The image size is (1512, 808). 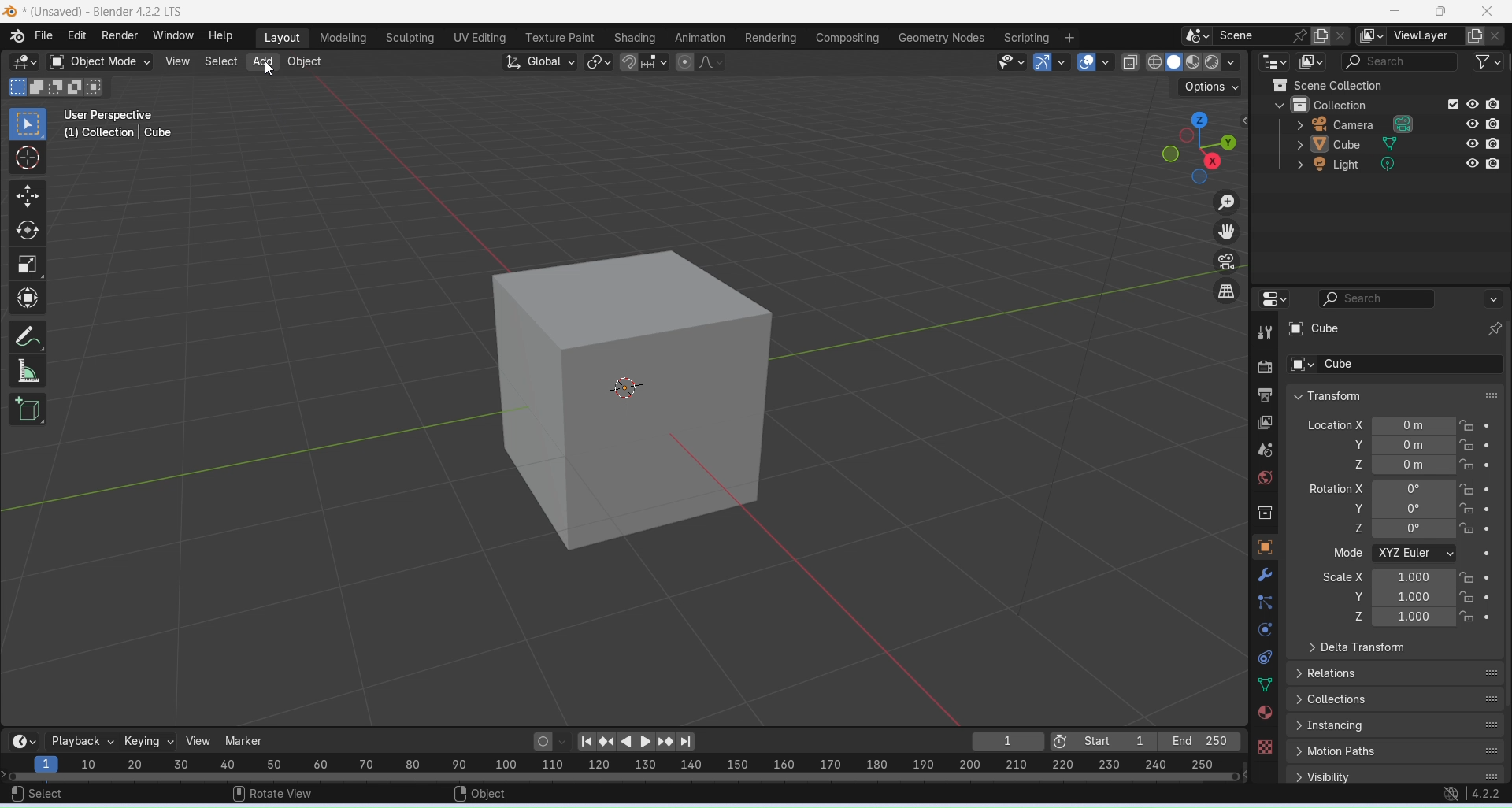 I want to click on View layer, so click(x=1266, y=424).